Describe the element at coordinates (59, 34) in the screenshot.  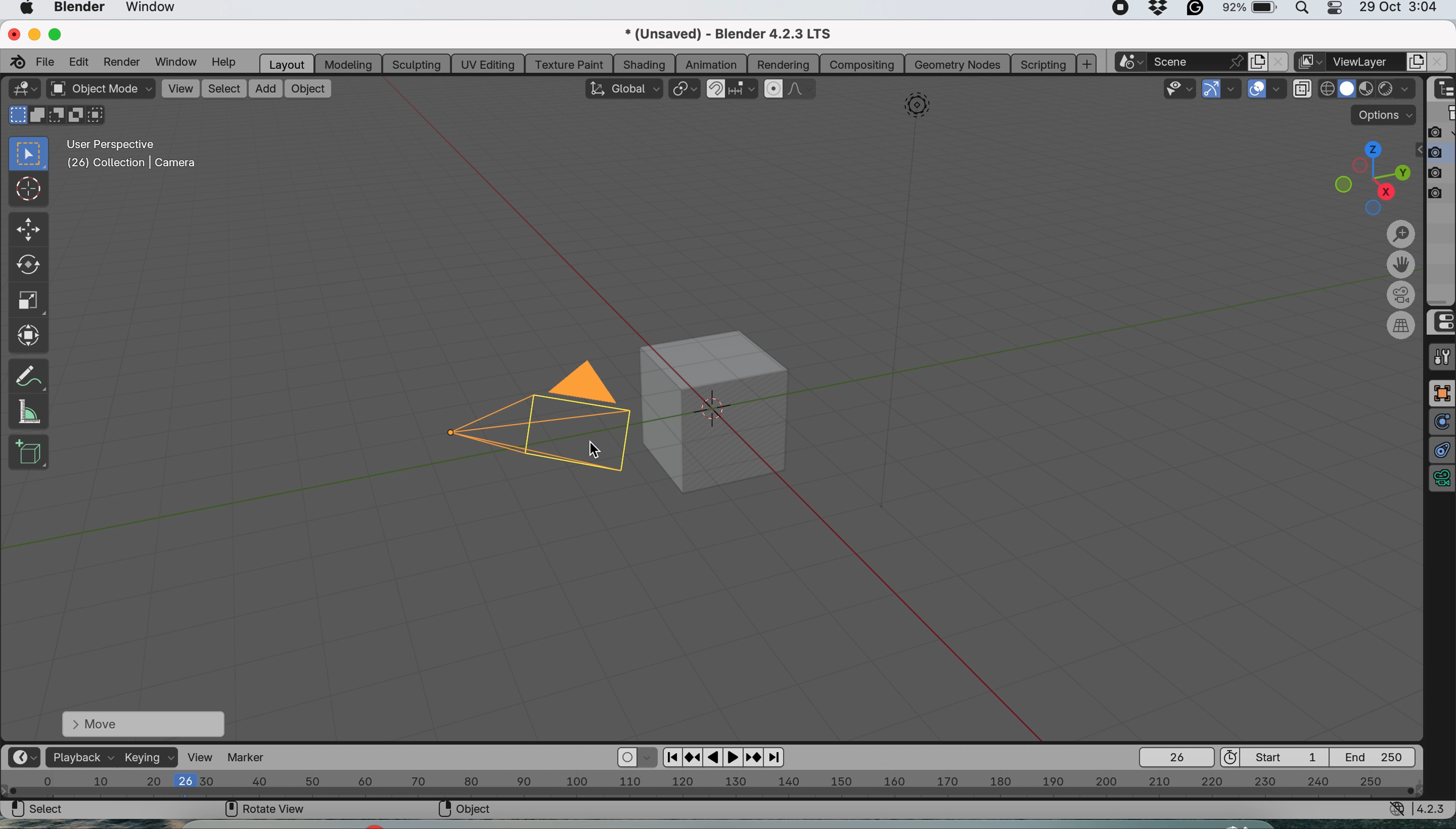
I see `maximise` at that location.